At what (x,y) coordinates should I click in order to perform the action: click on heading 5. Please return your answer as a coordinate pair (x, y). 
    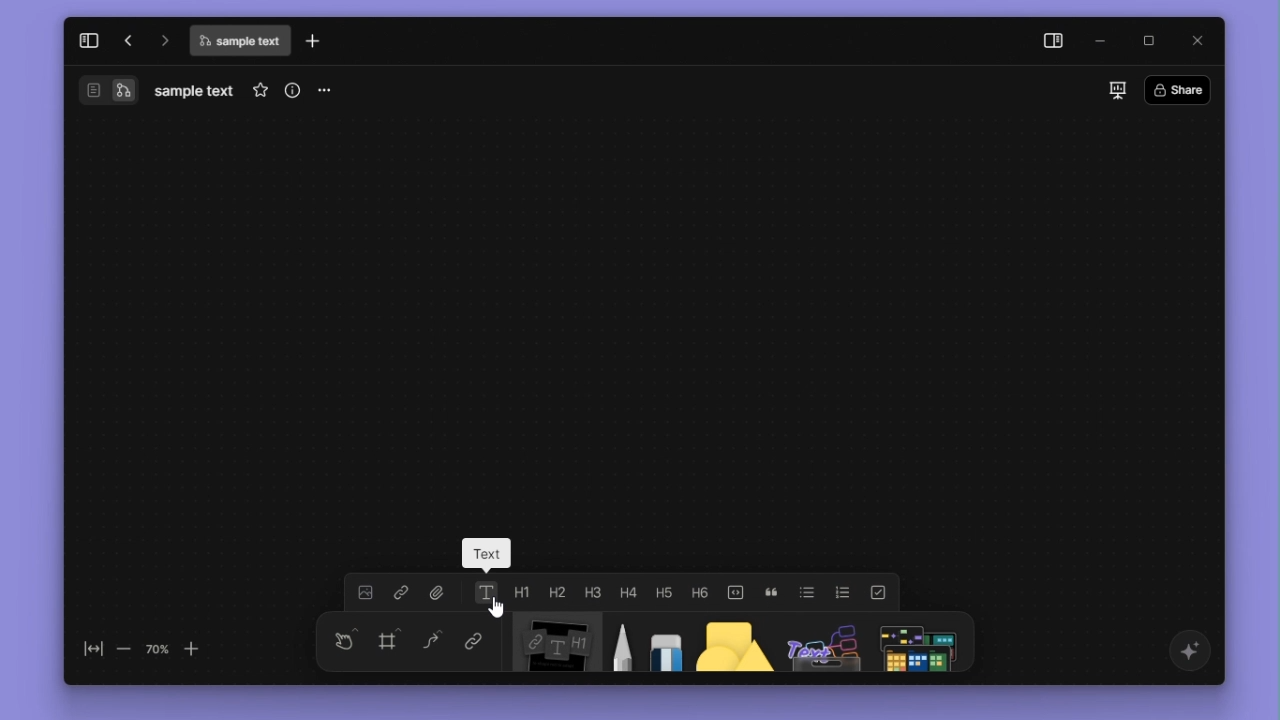
    Looking at the image, I should click on (664, 591).